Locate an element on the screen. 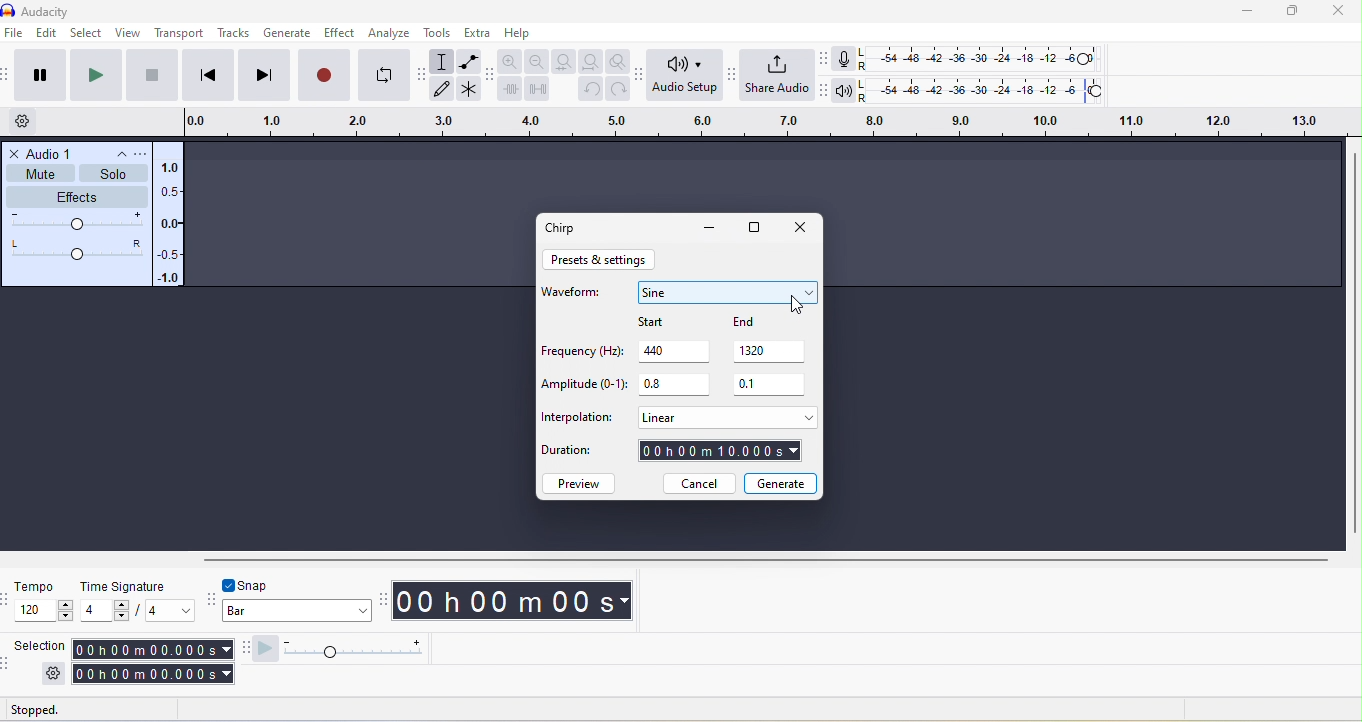  skip to end is located at coordinates (263, 76).